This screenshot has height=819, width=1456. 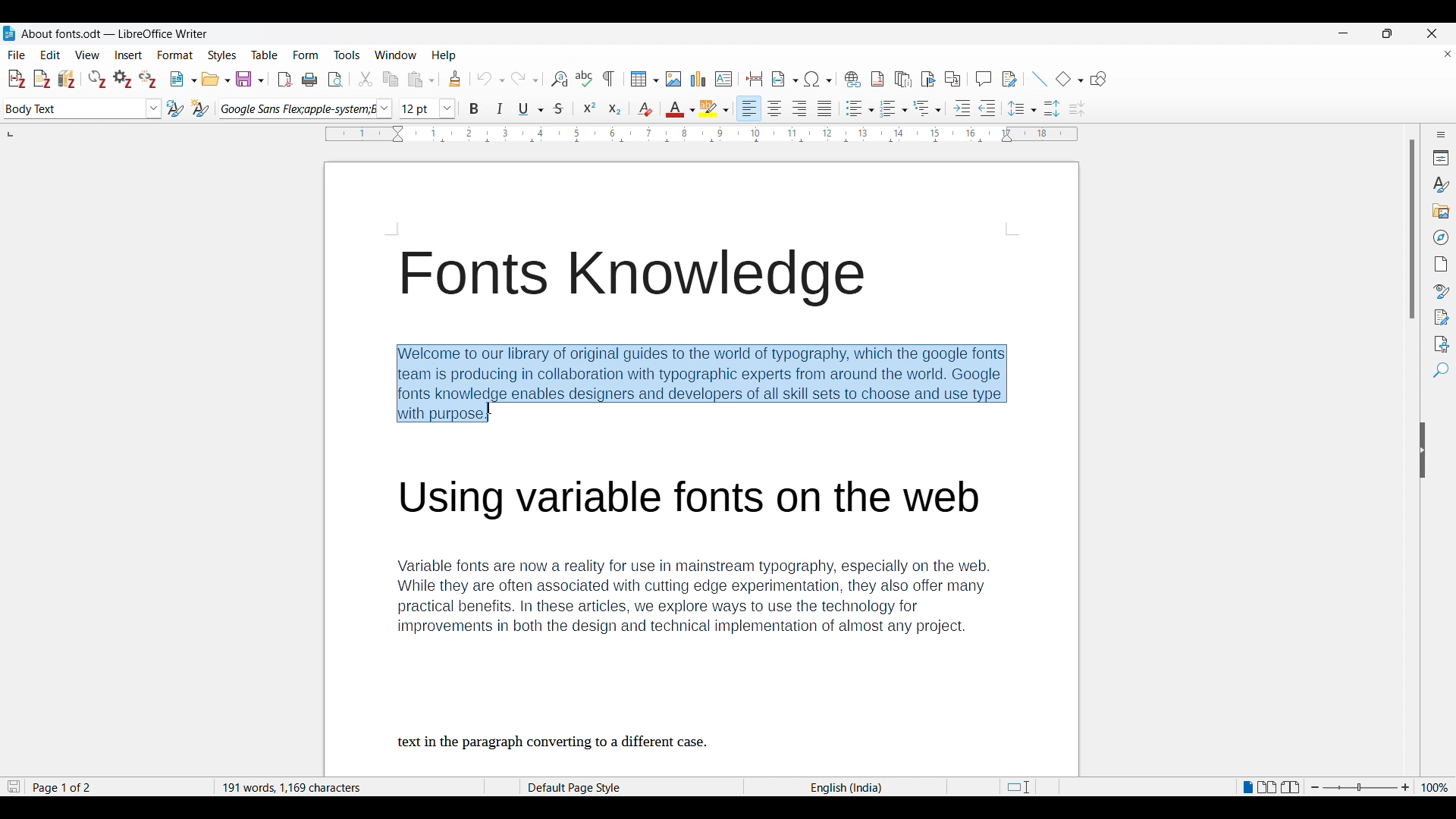 I want to click on About fonts.odt - LibreOffice Writer, so click(x=115, y=33).